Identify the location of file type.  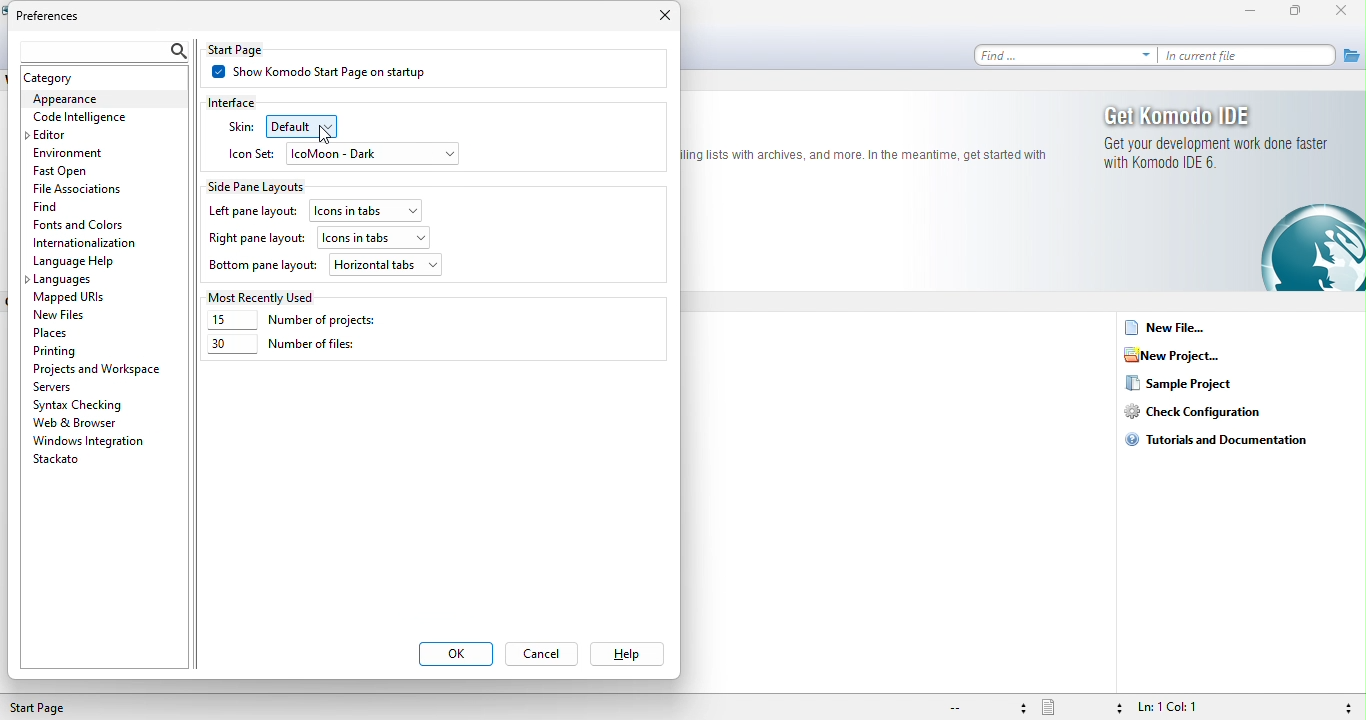
(1081, 707).